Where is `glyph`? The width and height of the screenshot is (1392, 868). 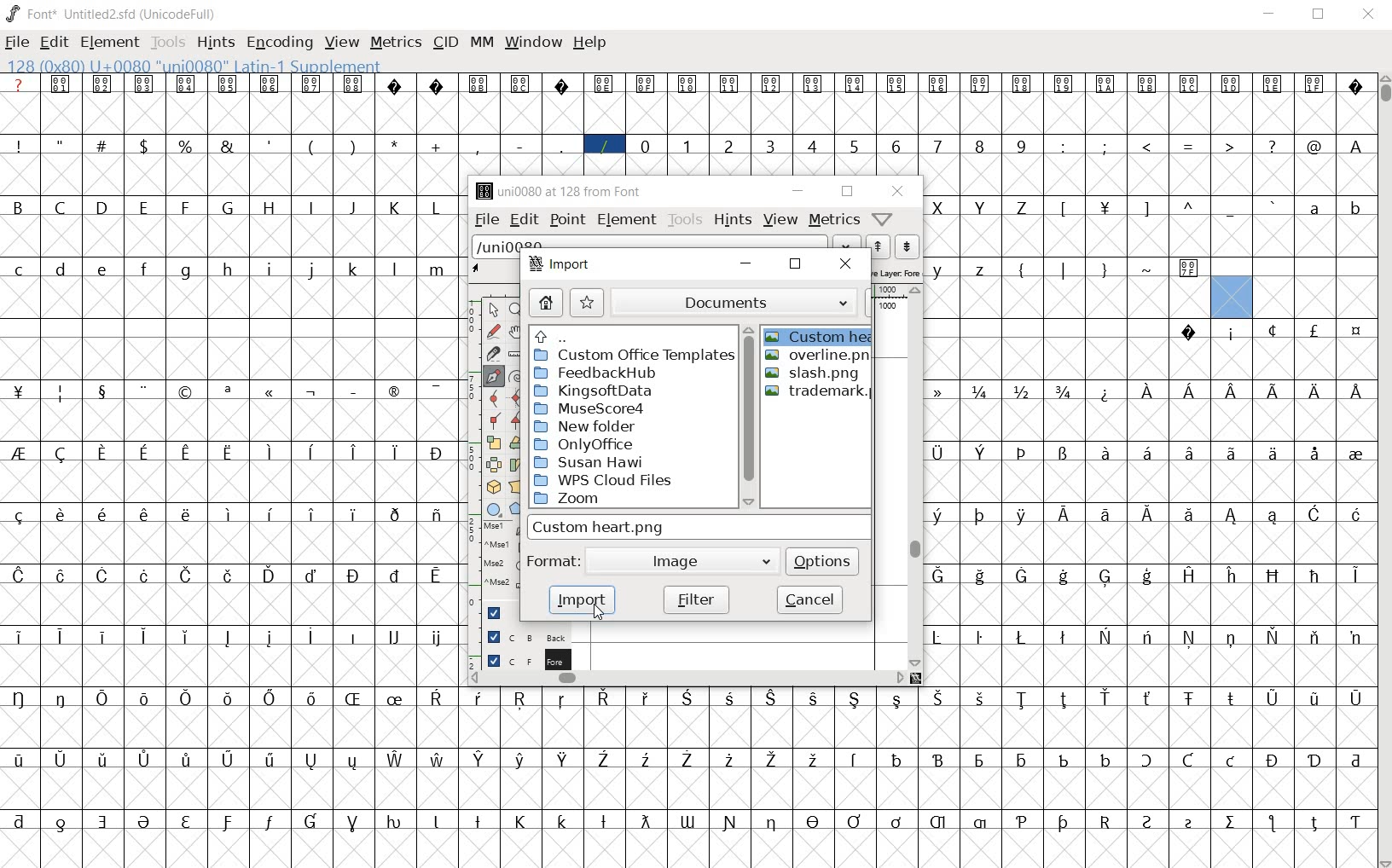 glyph is located at coordinates (144, 576).